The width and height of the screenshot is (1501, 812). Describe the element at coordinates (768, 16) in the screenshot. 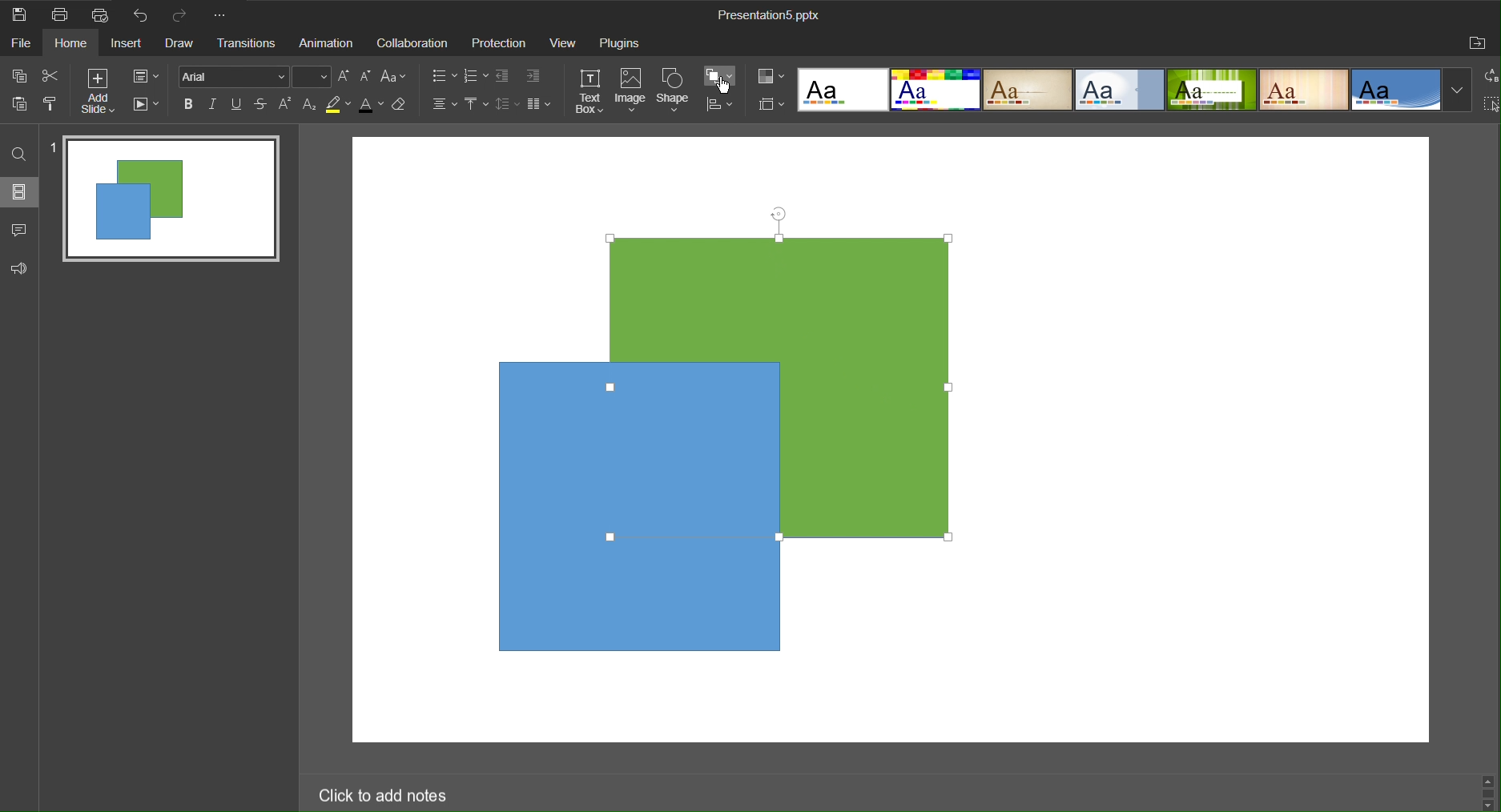

I see `Presentation Title` at that location.